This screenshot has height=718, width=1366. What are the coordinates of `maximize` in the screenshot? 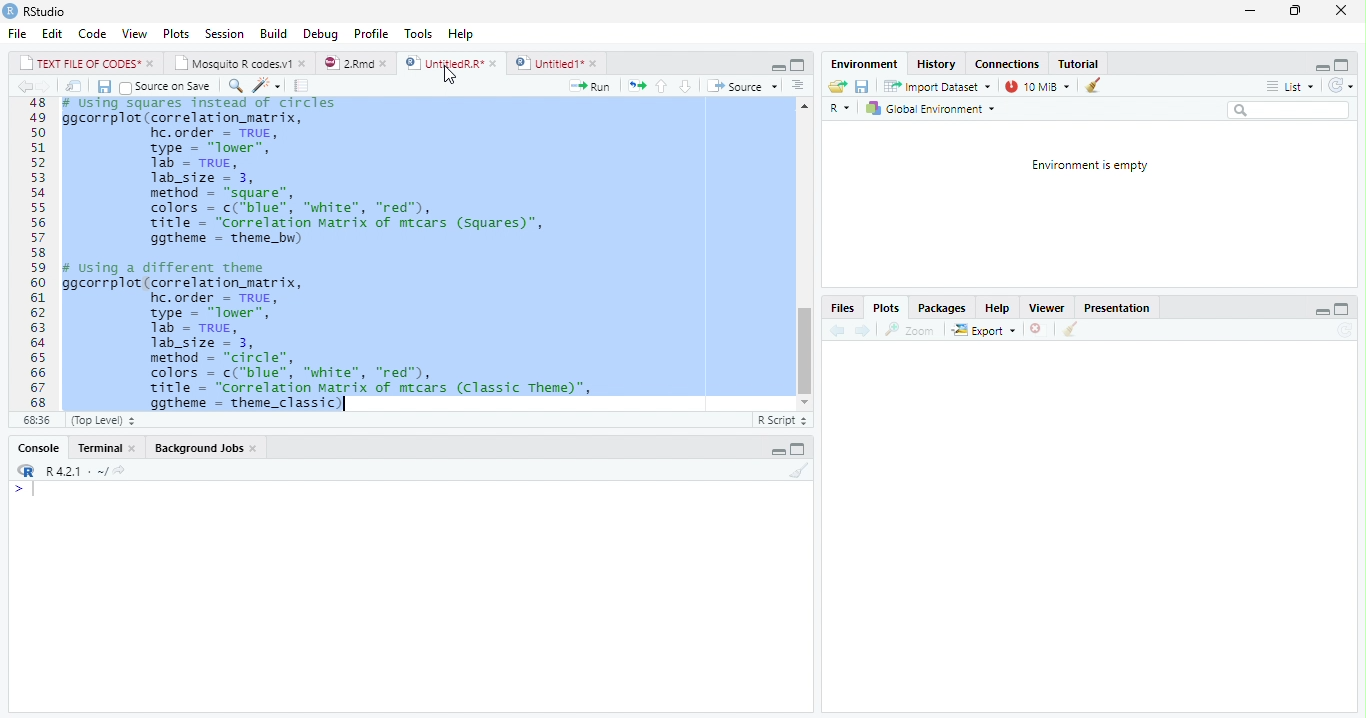 It's located at (1295, 13).